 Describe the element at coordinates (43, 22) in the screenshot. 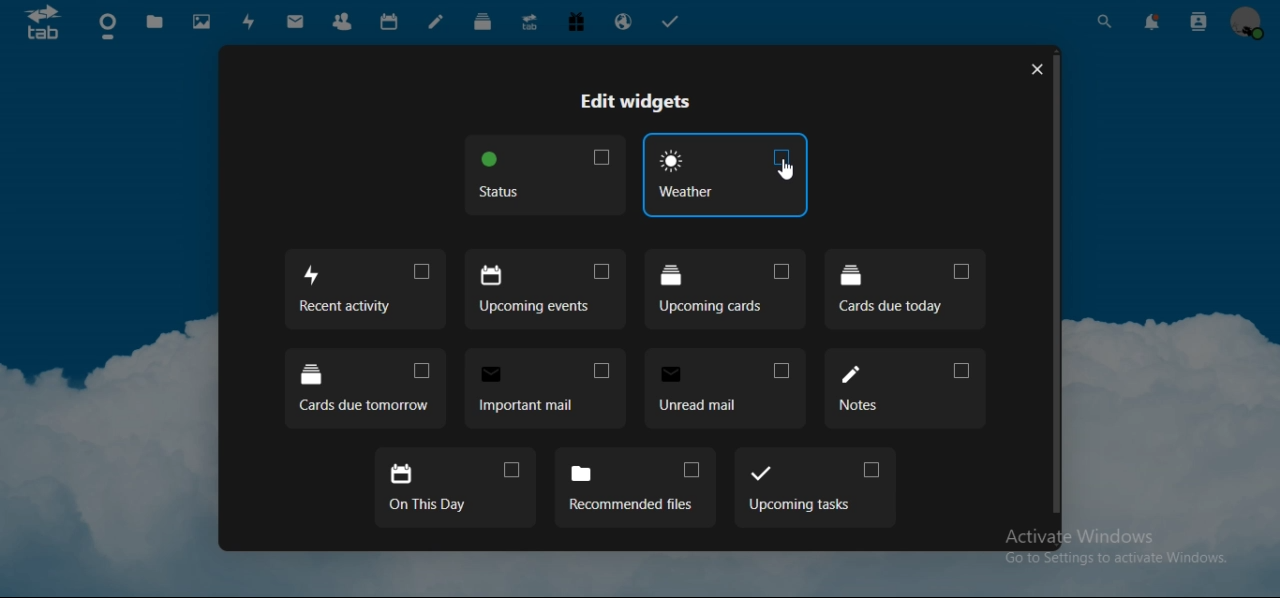

I see `icon` at that location.